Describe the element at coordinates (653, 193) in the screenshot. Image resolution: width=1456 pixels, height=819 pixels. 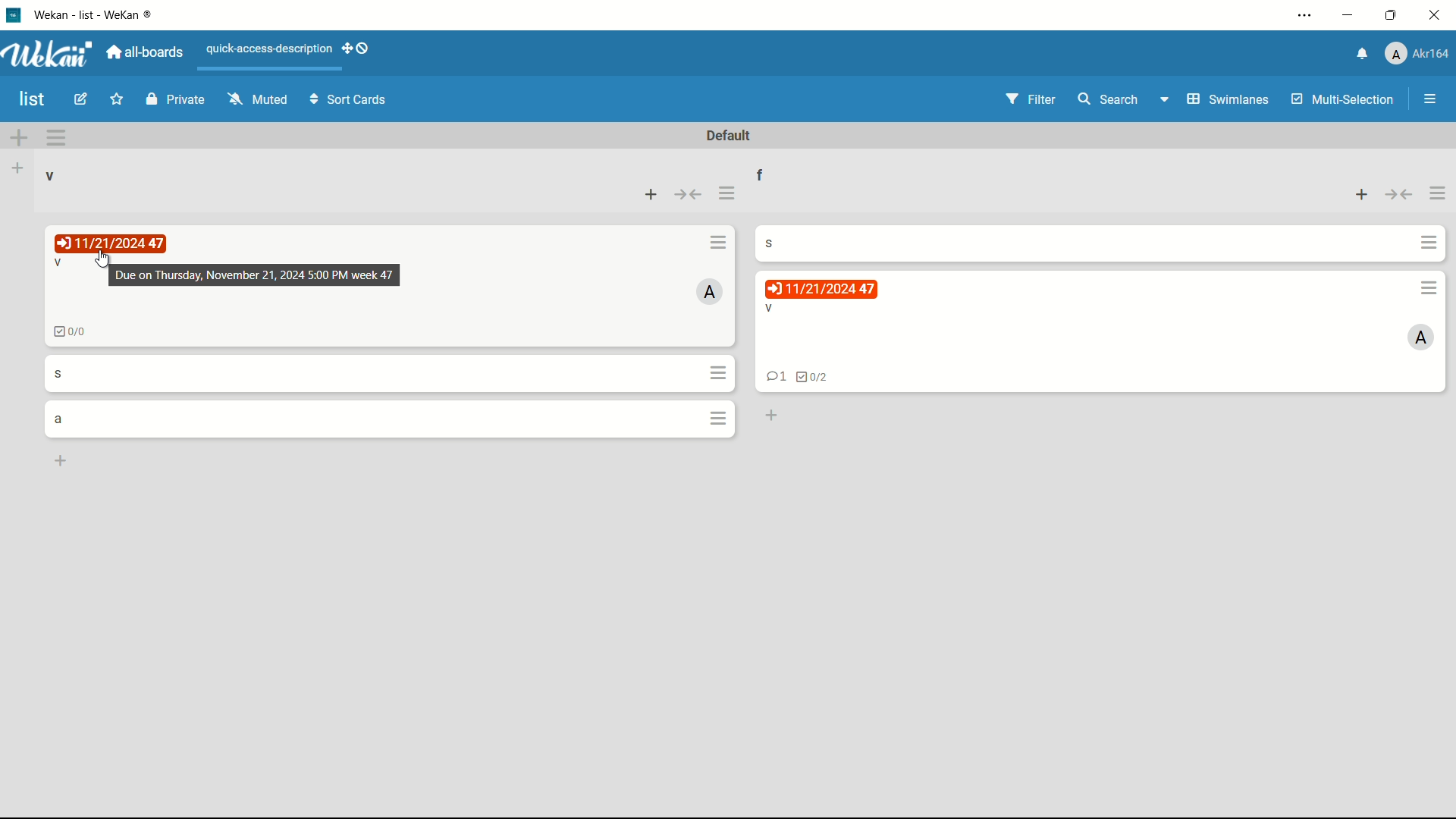
I see `add card to top of list` at that location.